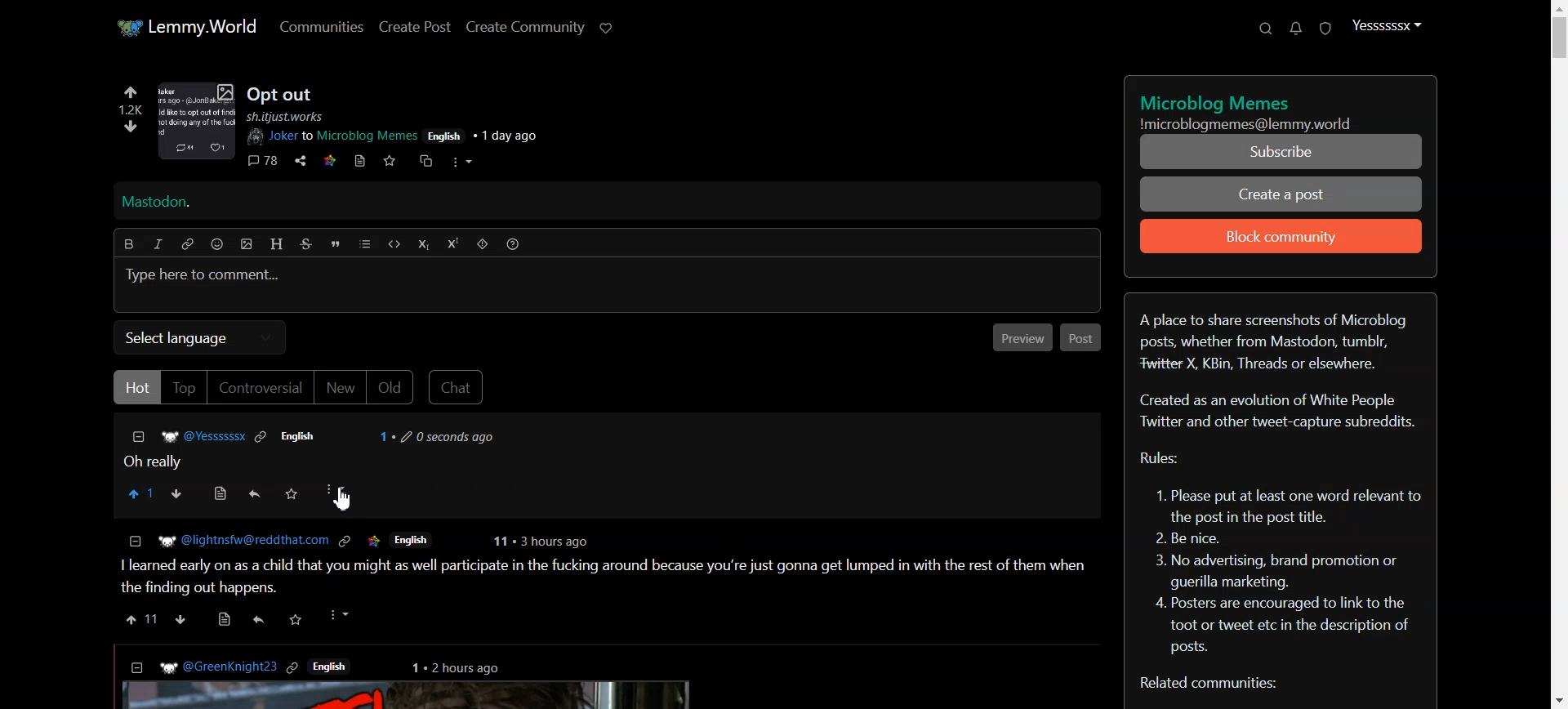 Image resolution: width=1568 pixels, height=709 pixels. What do you see at coordinates (1557, 354) in the screenshot?
I see `Vertical Scroll bar` at bounding box center [1557, 354].